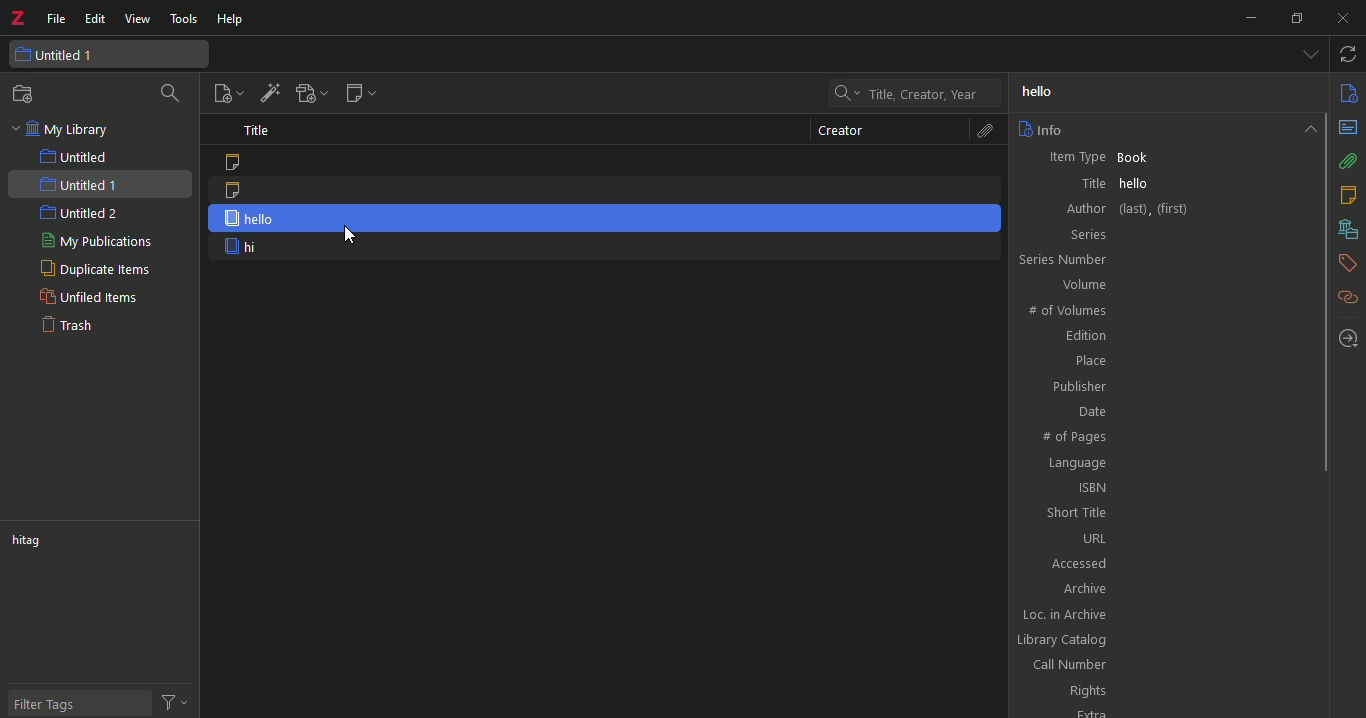 Image resolution: width=1366 pixels, height=718 pixels. Describe the element at coordinates (1349, 194) in the screenshot. I see `notes` at that location.